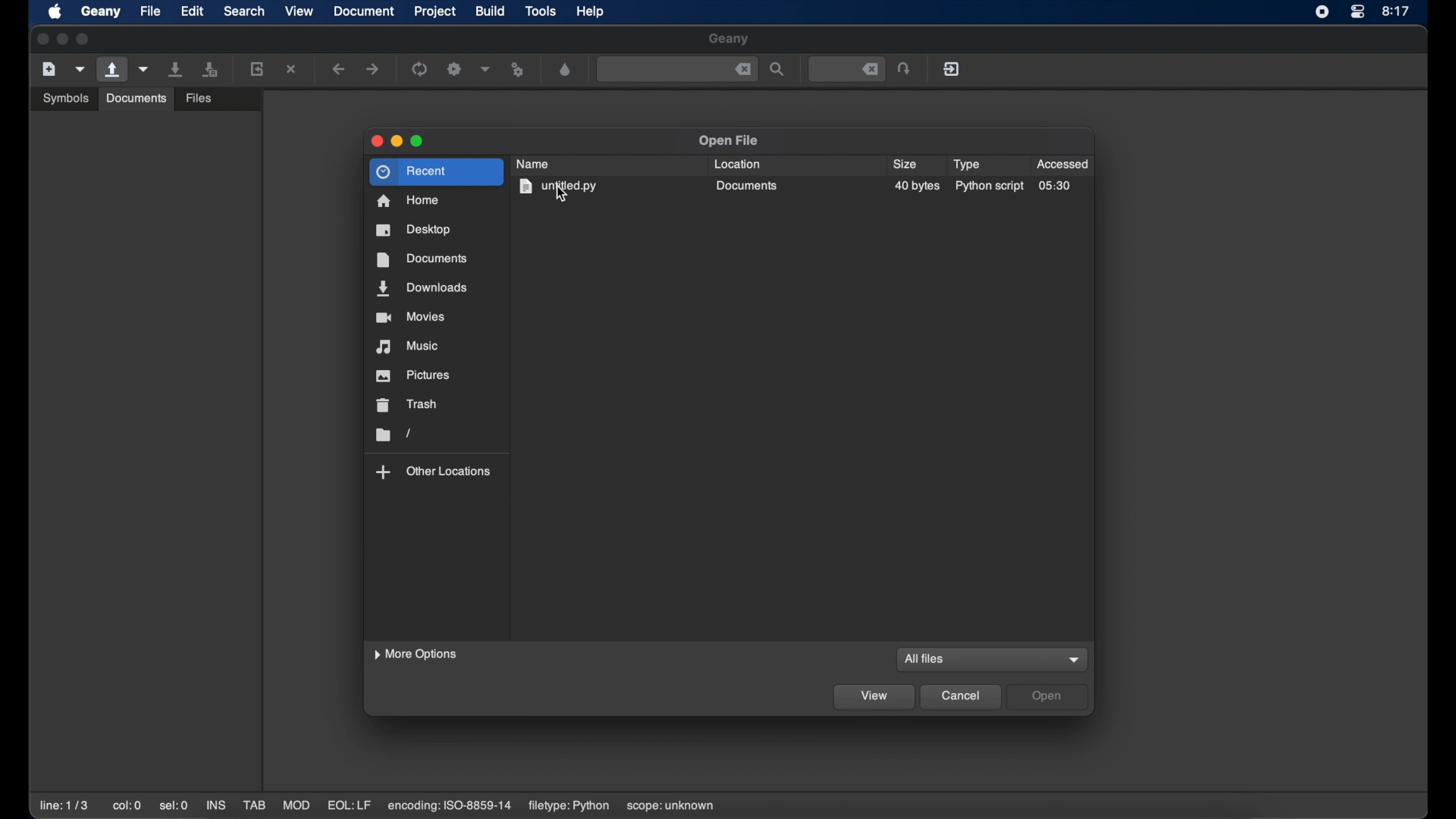 The image size is (1456, 819). Describe the element at coordinates (848, 69) in the screenshot. I see `jump to entered line number` at that location.